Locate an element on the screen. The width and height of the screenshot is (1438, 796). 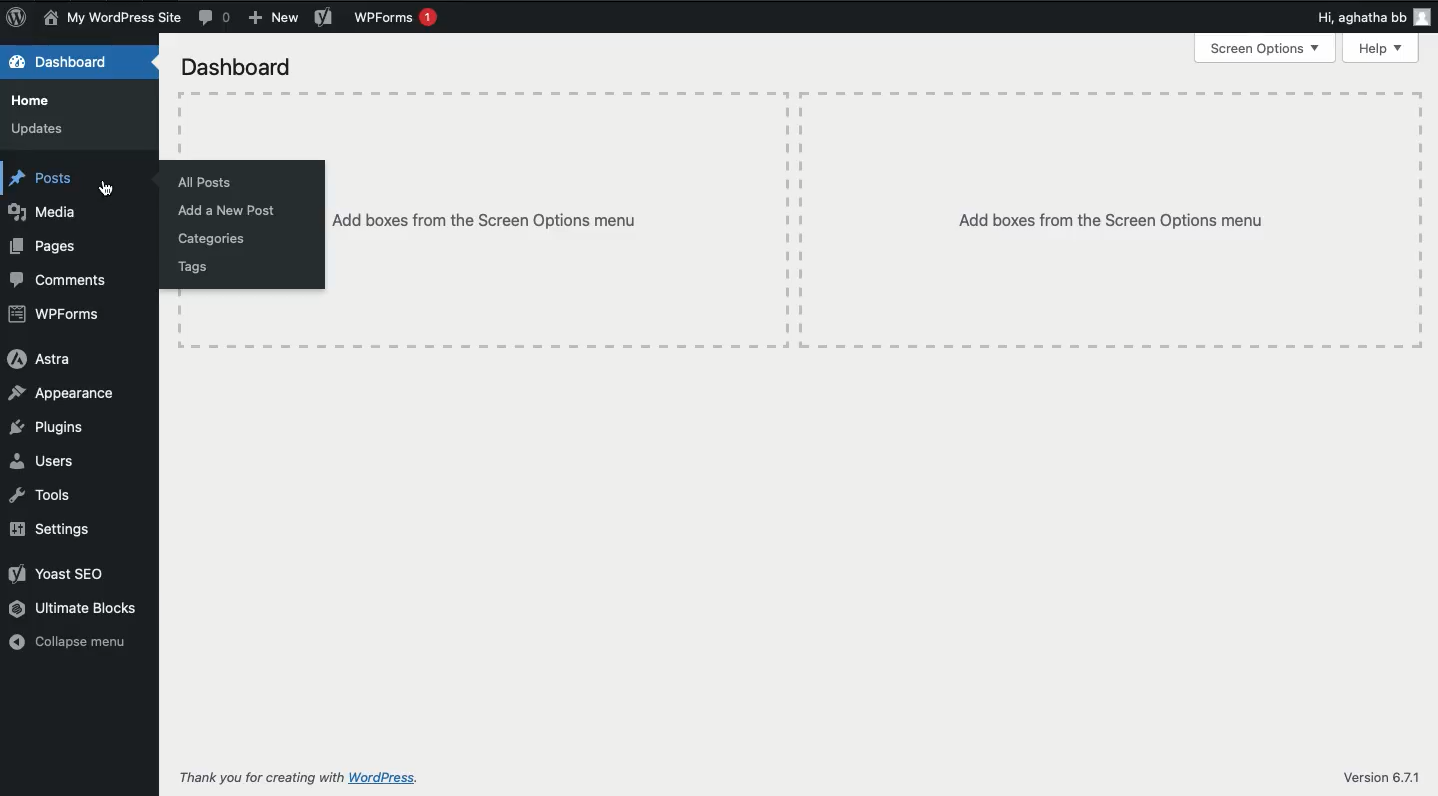
Categories is located at coordinates (215, 238).